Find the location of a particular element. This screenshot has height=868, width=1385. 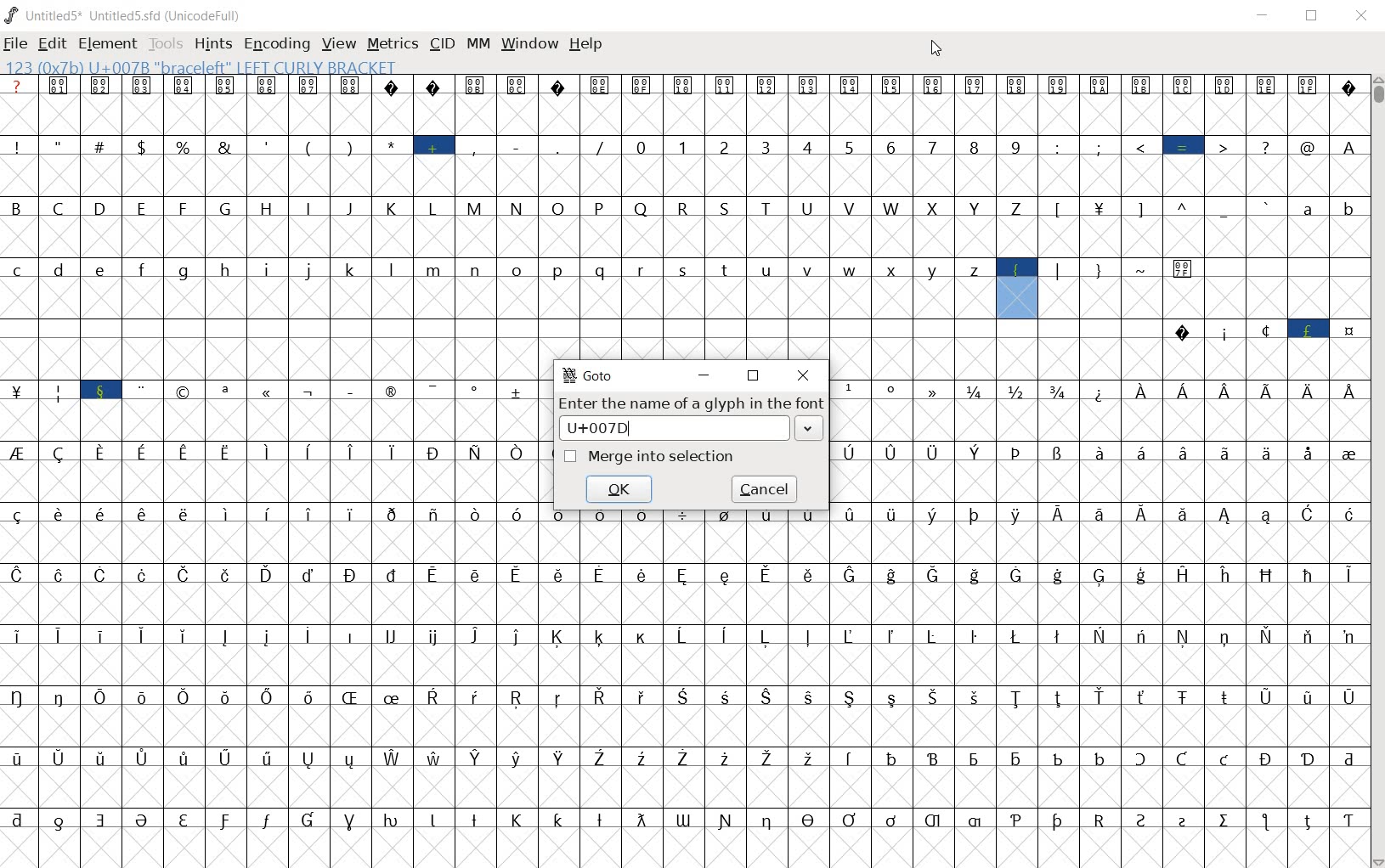

ELEMENT is located at coordinates (107, 44).